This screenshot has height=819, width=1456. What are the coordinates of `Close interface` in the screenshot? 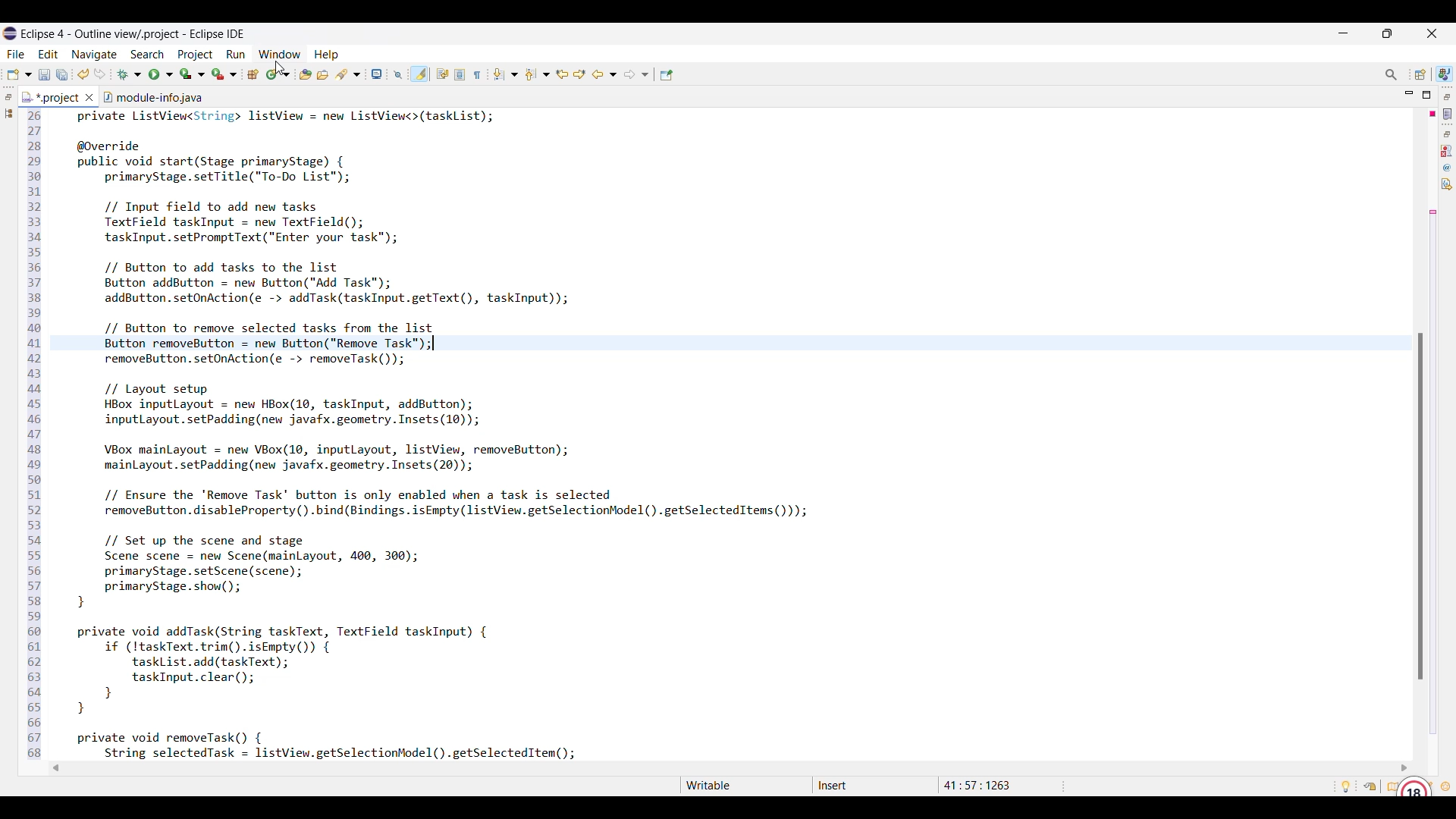 It's located at (1432, 33).